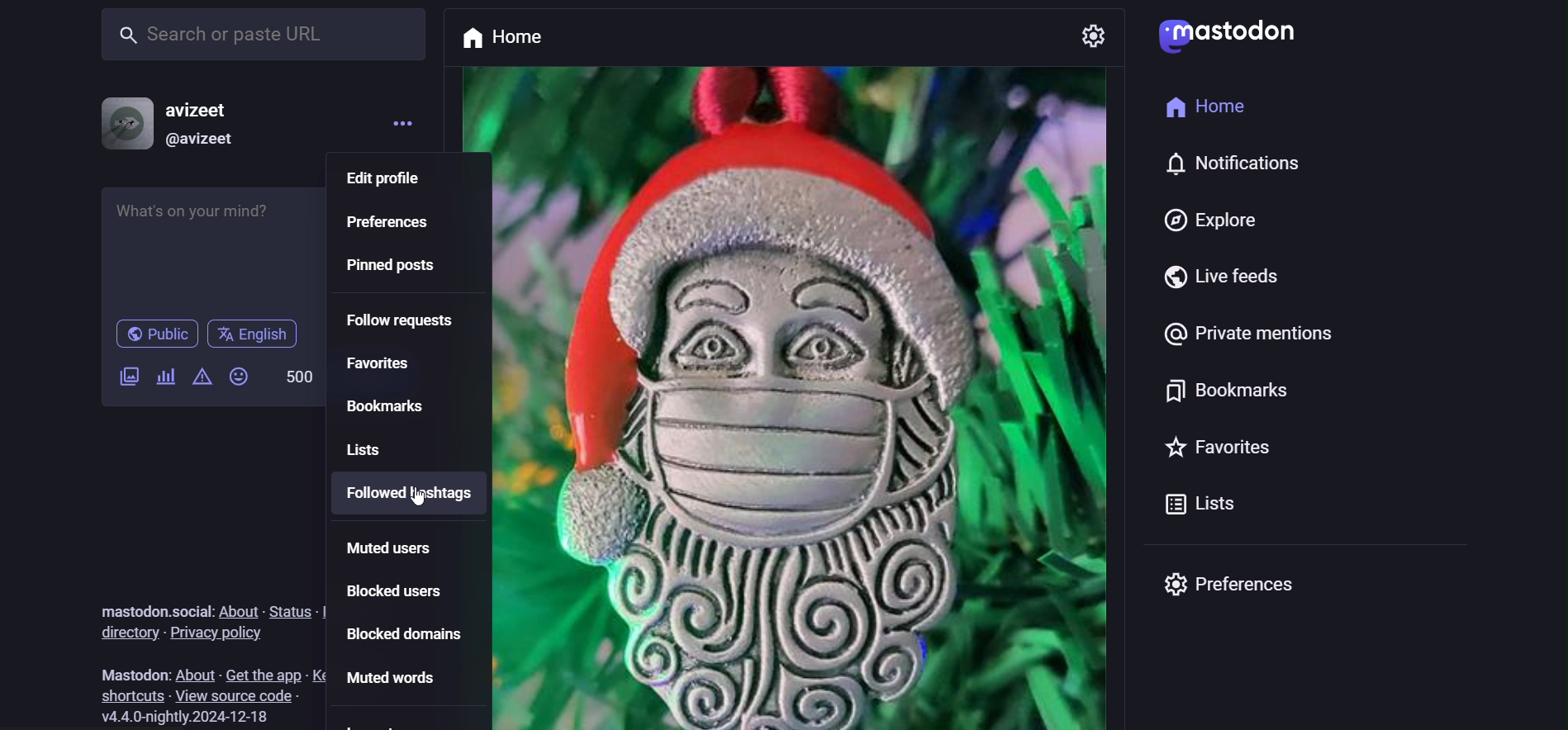 The image size is (1568, 730). Describe the element at coordinates (129, 673) in the screenshot. I see `Mastodon` at that location.